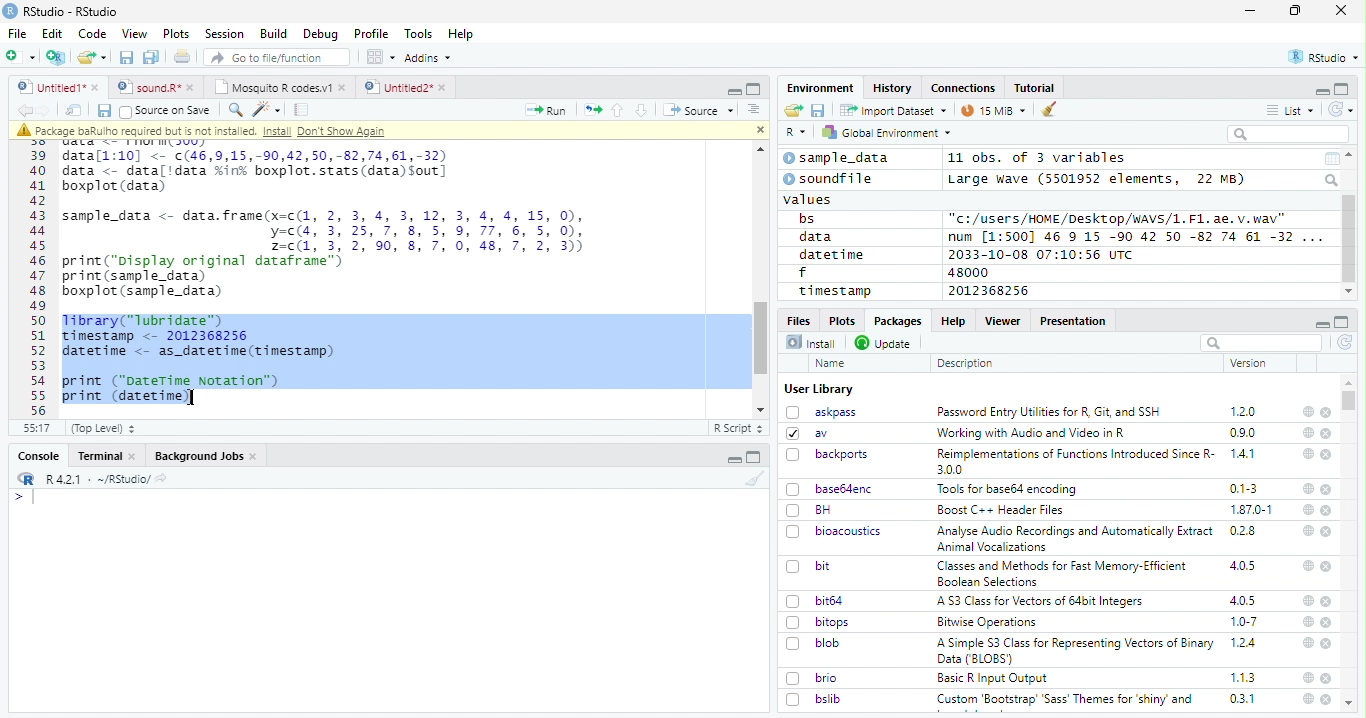  I want to click on 4.0.5, so click(1242, 566).